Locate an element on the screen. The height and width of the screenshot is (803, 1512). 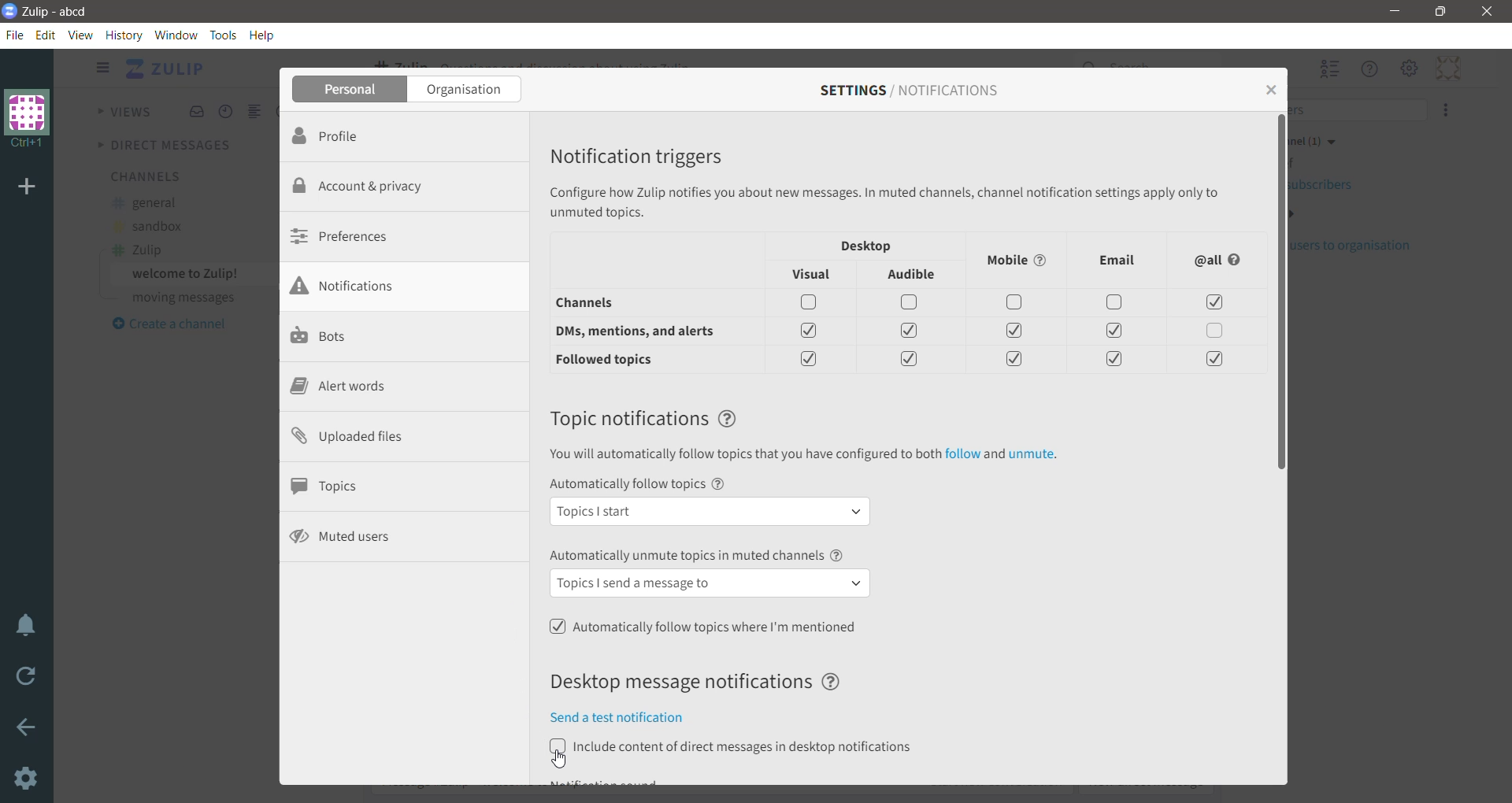
You will automatically follow topics that you have configured to both follow and unmute. is located at coordinates (802, 456).